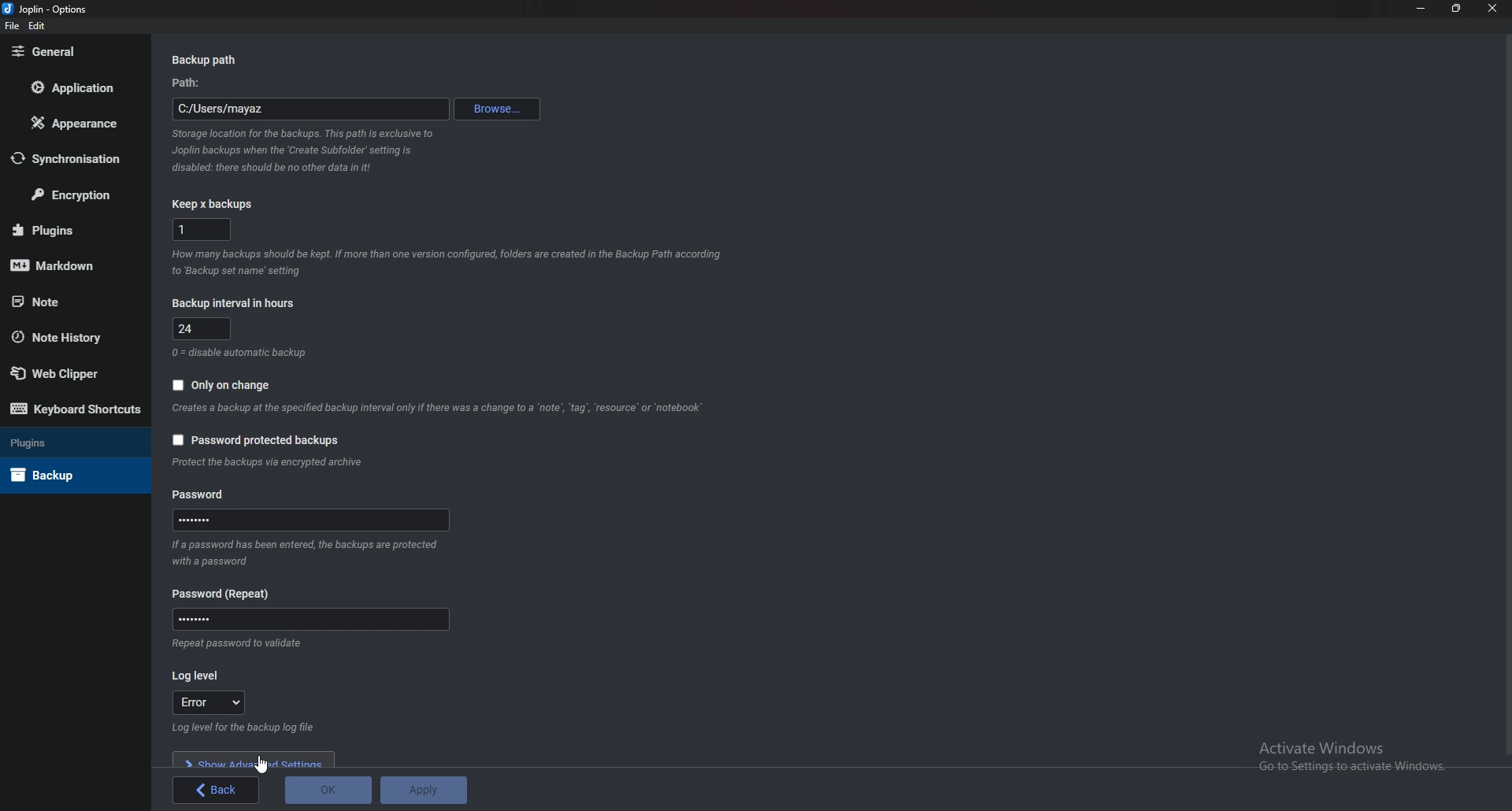 The image size is (1512, 811). What do you see at coordinates (237, 643) in the screenshot?
I see `Info` at bounding box center [237, 643].